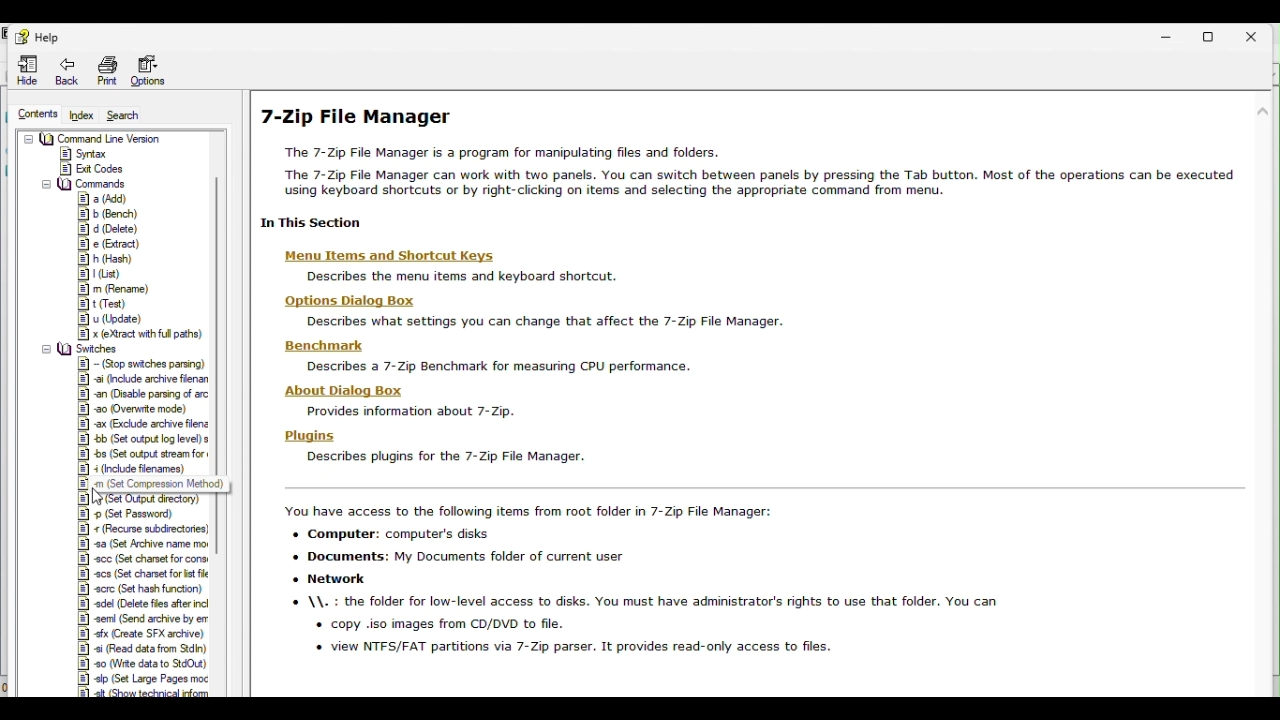  What do you see at coordinates (146, 528) in the screenshot?
I see `recursive subdirectories` at bounding box center [146, 528].